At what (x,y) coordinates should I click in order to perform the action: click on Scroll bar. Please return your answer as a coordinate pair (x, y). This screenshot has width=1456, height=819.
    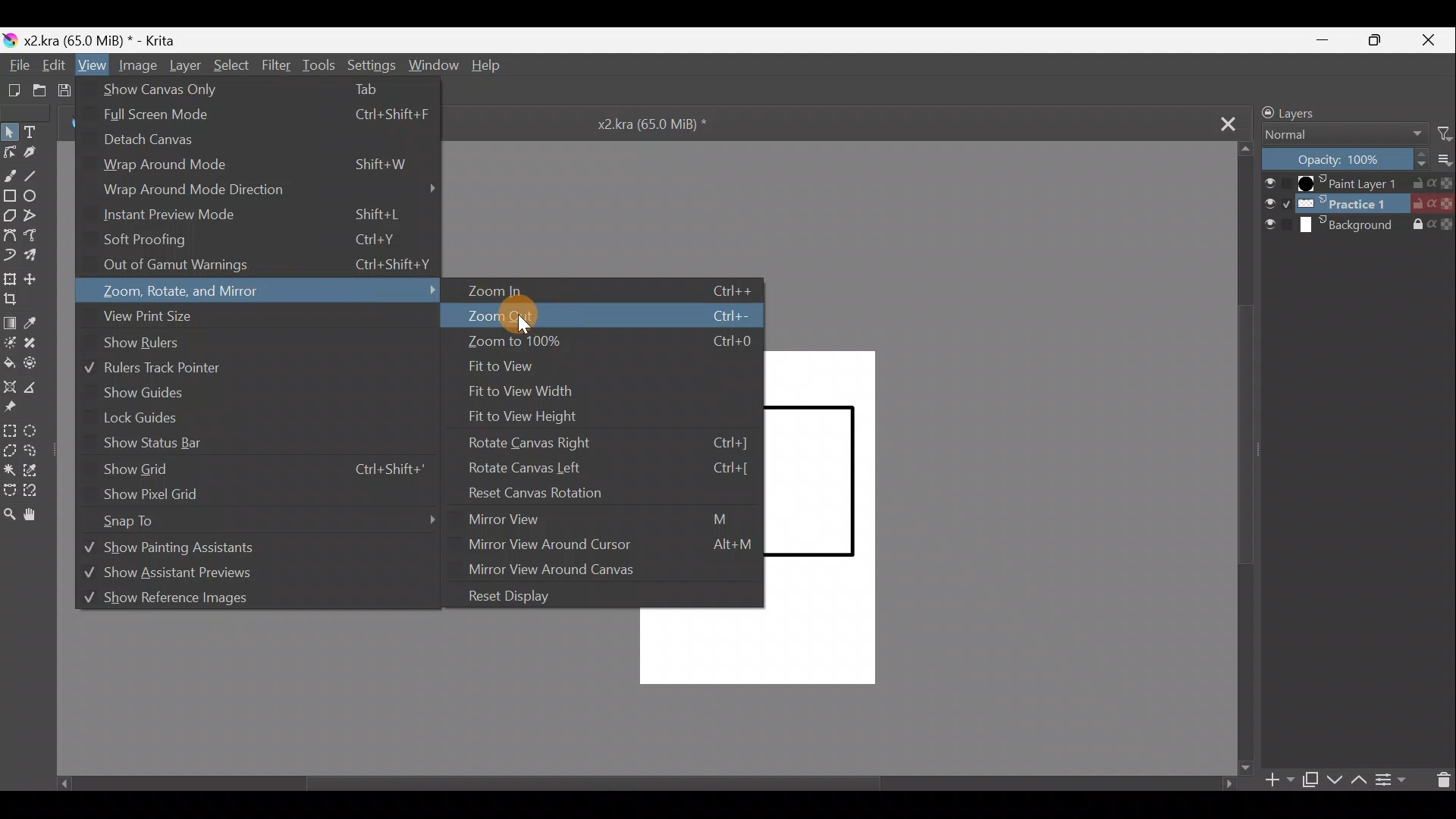
    Looking at the image, I should click on (632, 783).